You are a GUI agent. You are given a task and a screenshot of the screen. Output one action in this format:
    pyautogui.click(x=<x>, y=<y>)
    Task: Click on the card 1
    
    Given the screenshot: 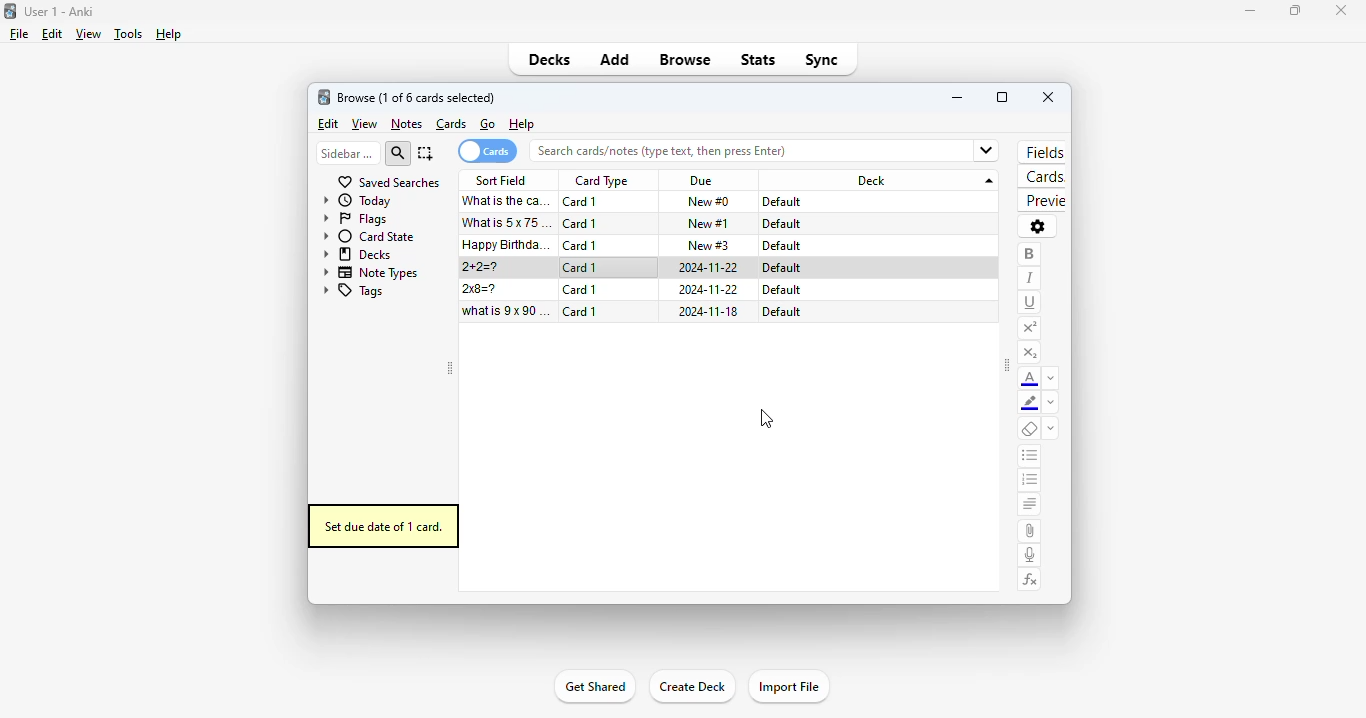 What is the action you would take?
    pyautogui.click(x=580, y=268)
    